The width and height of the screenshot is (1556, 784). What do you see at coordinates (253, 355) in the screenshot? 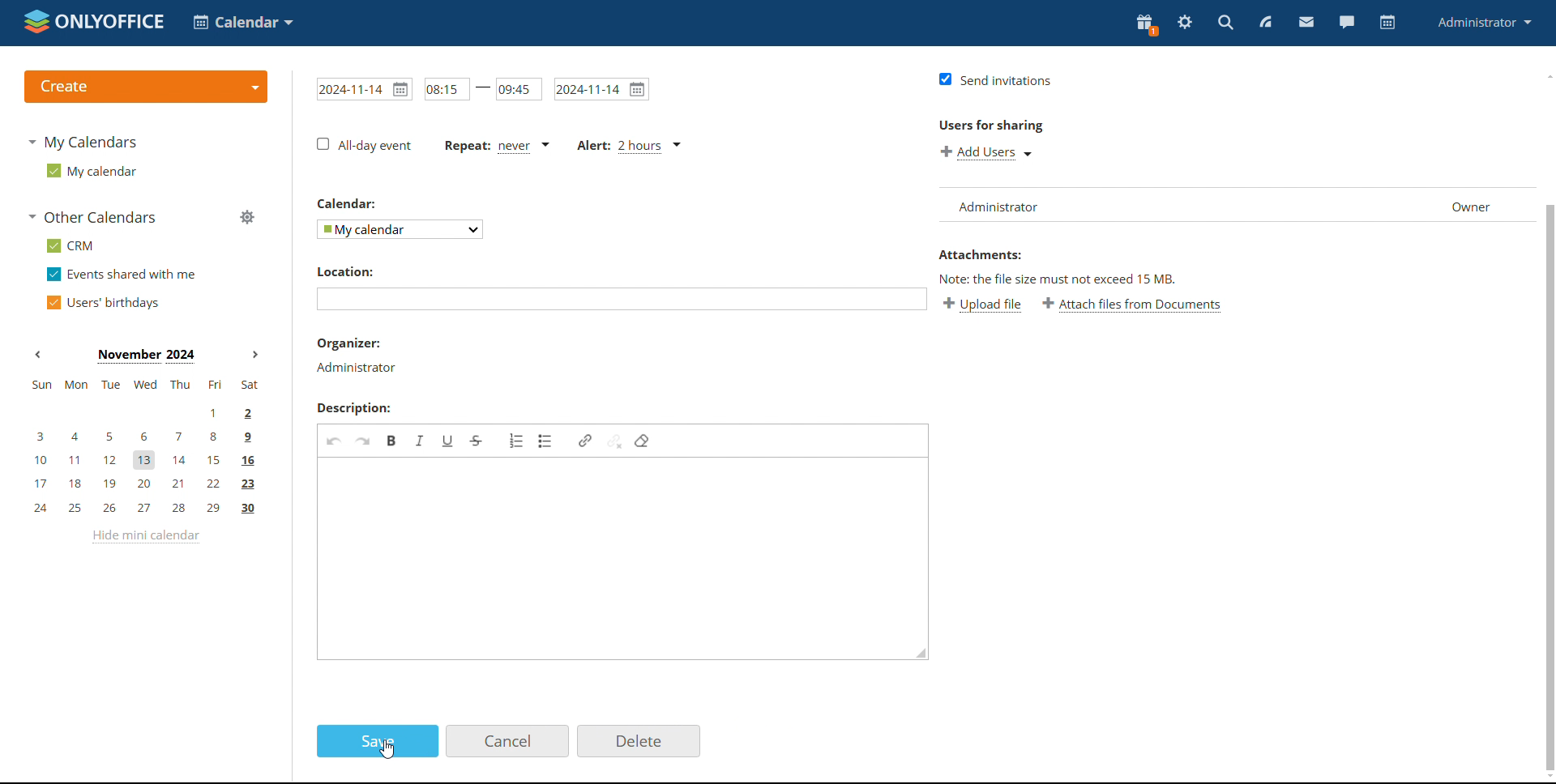
I see `next month` at bounding box center [253, 355].